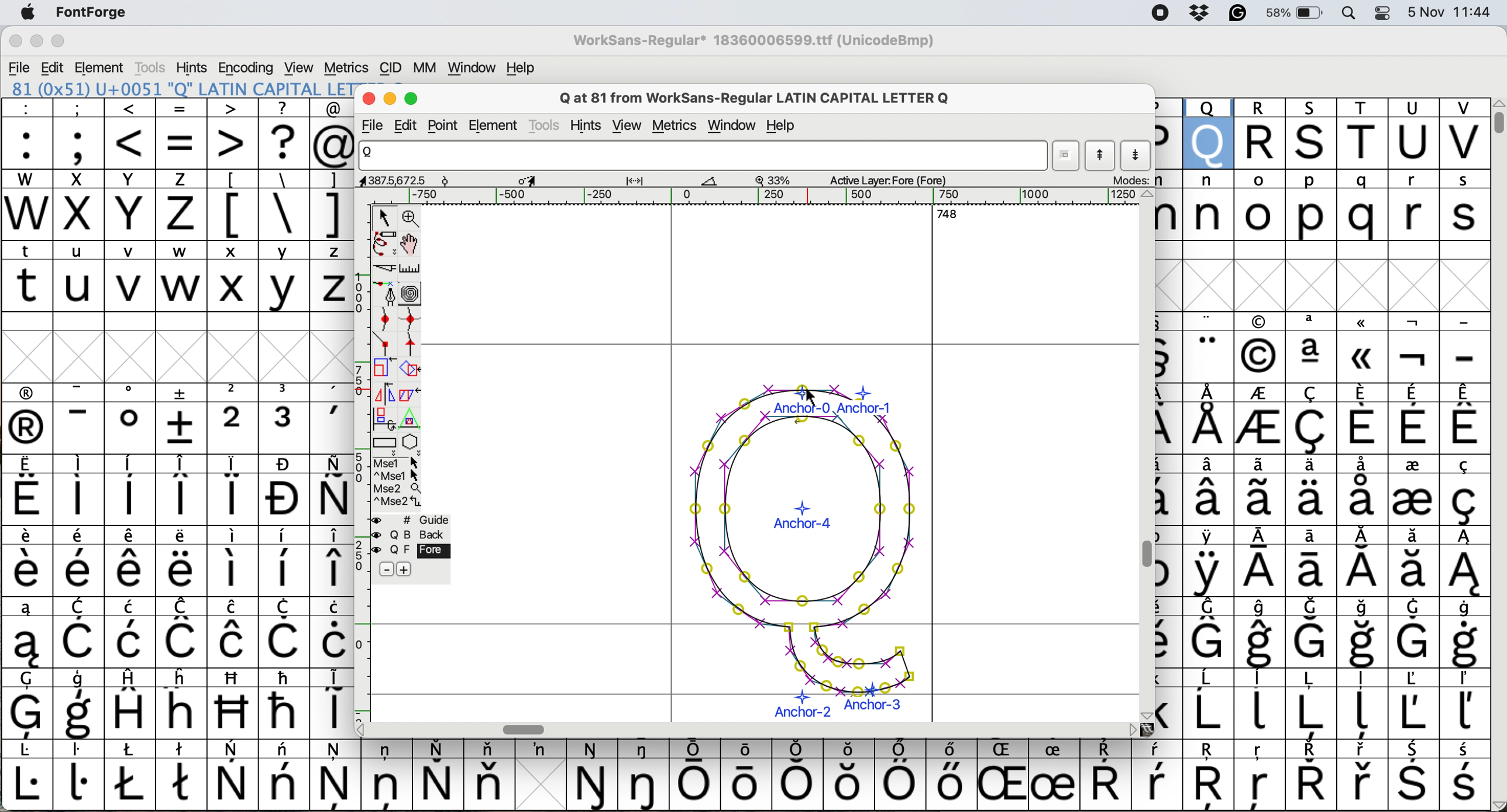  I want to click on control center, so click(1383, 14).